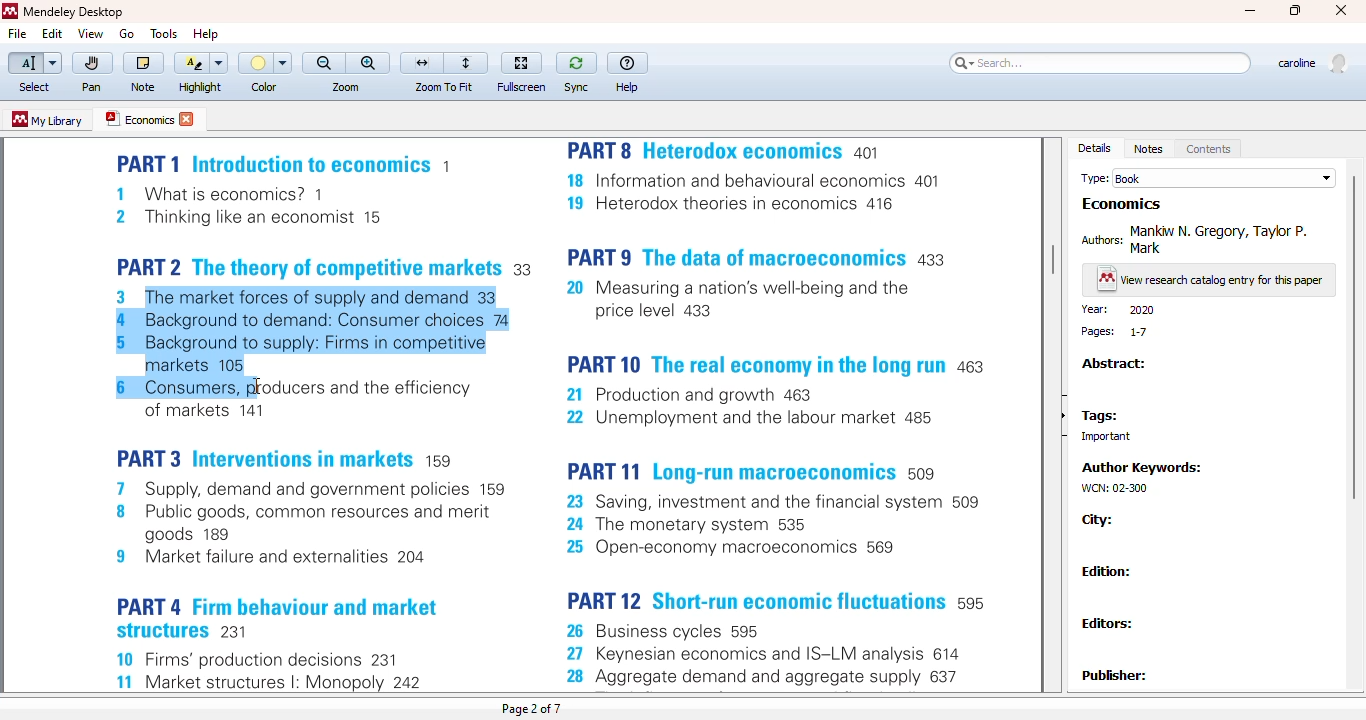 The width and height of the screenshot is (1366, 720). What do you see at coordinates (264, 87) in the screenshot?
I see `color` at bounding box center [264, 87].